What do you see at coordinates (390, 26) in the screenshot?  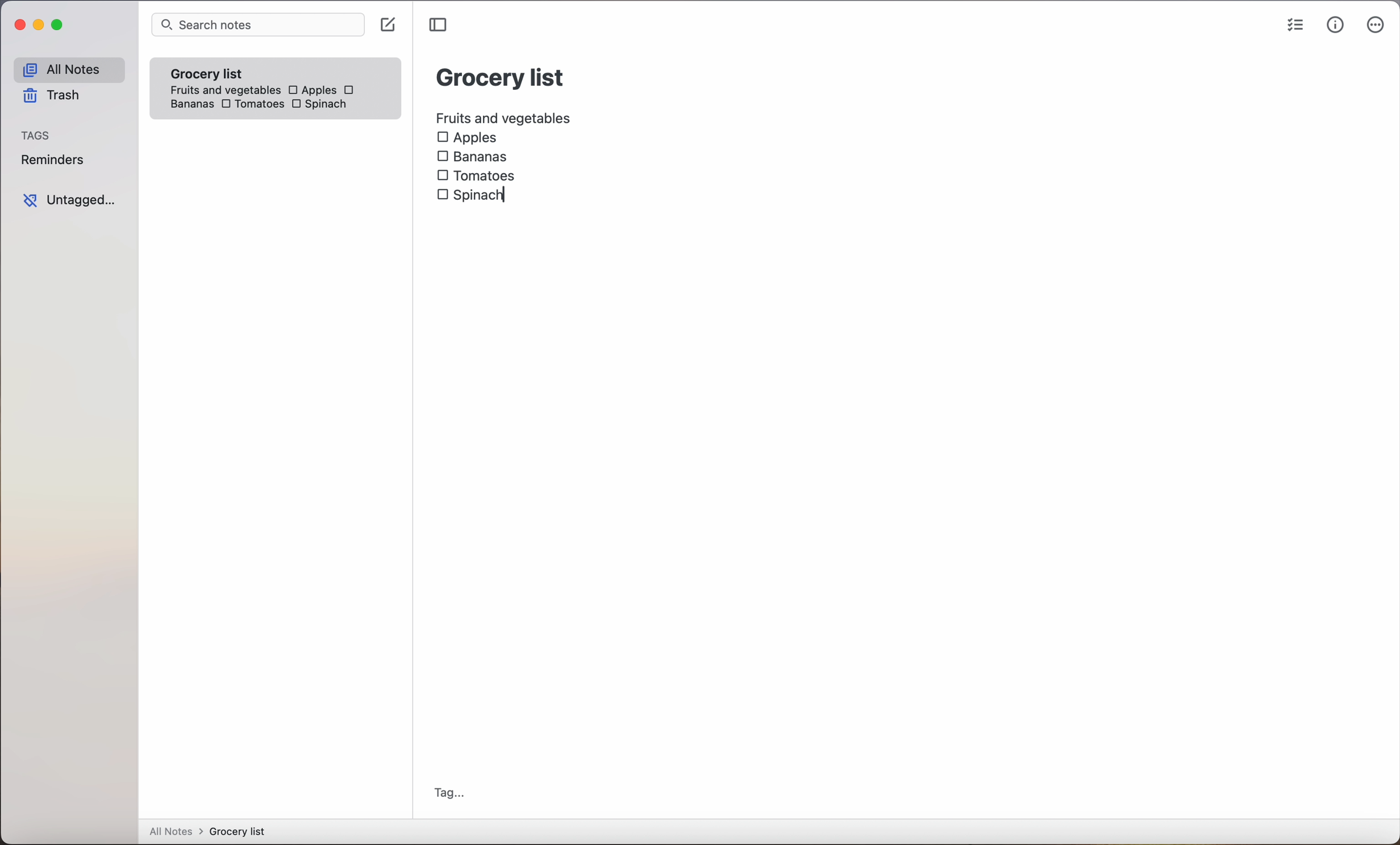 I see `click on create note` at bounding box center [390, 26].